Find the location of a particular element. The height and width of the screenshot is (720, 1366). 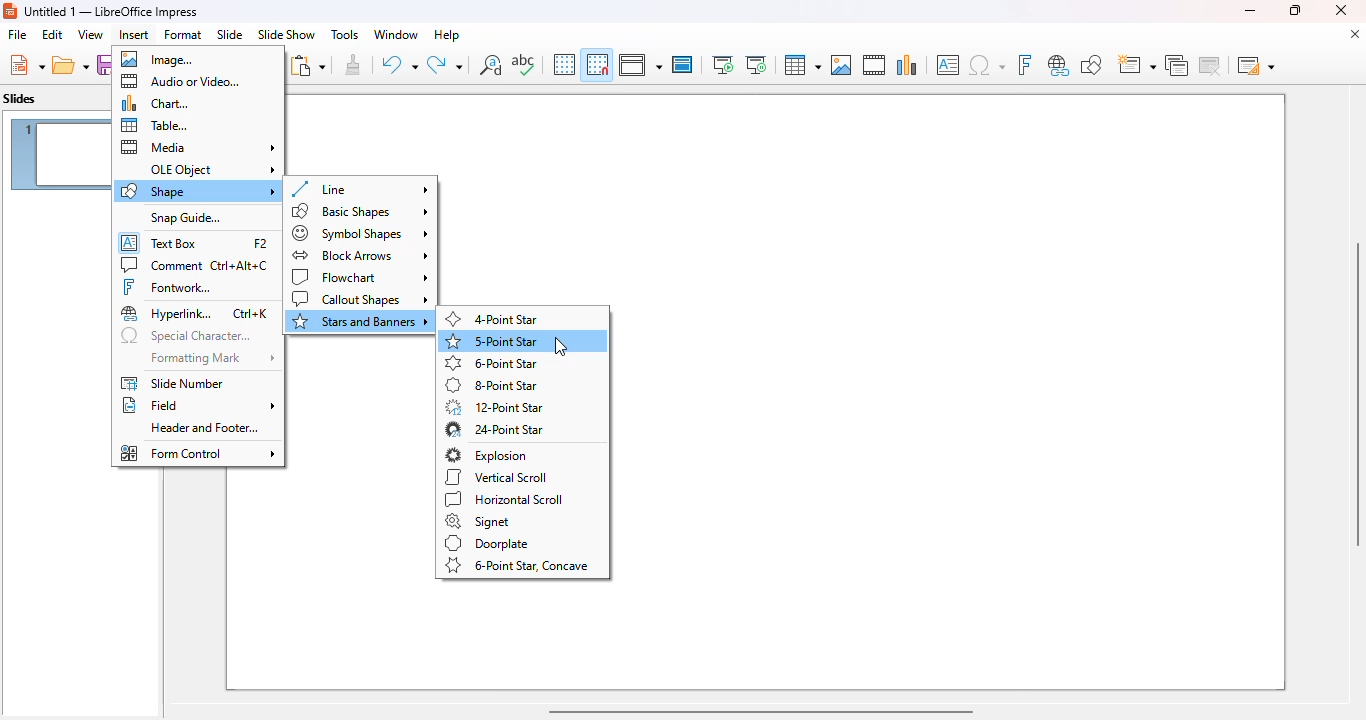

paste is located at coordinates (307, 65).